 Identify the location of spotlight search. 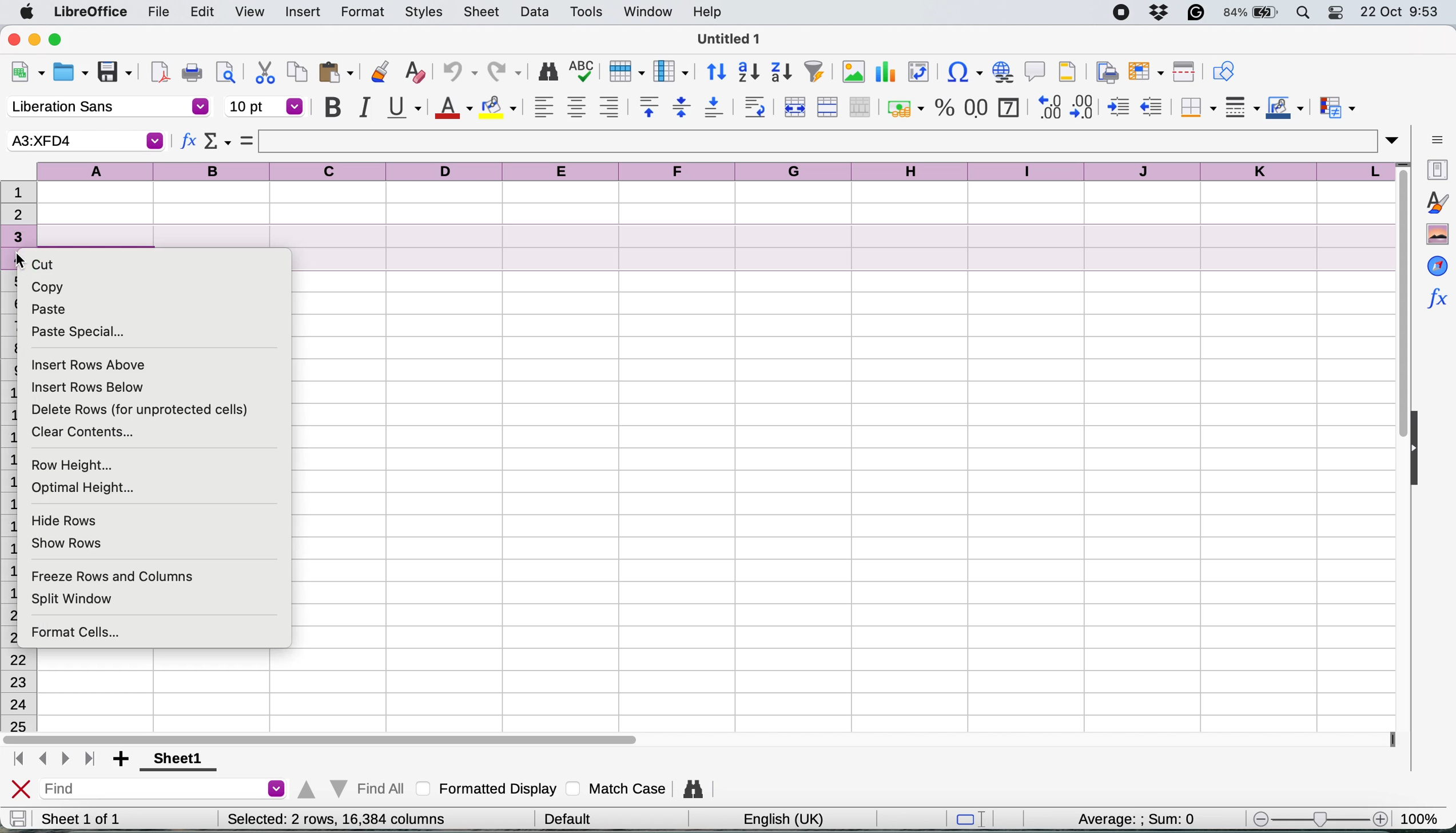
(1304, 13).